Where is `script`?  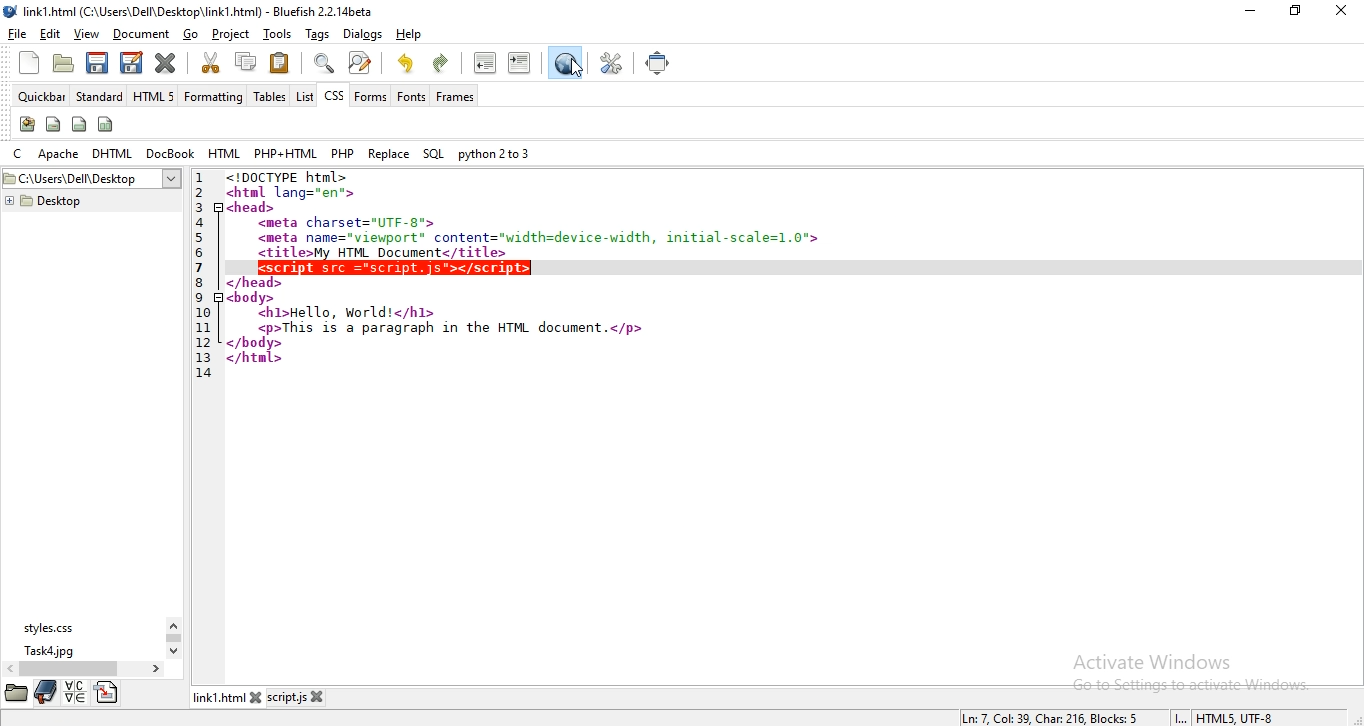
script is located at coordinates (292, 697).